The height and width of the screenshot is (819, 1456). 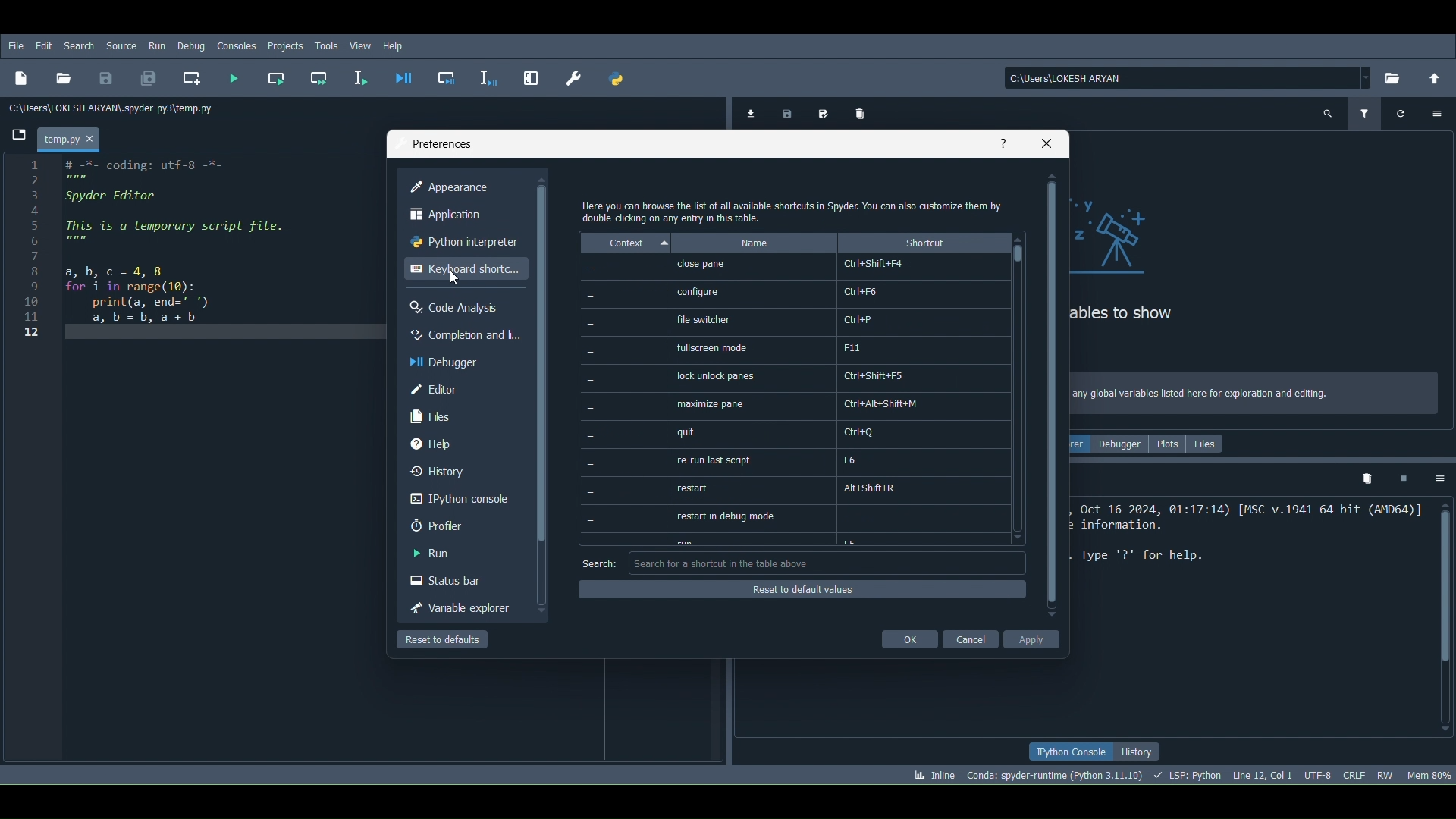 I want to click on Save file (Ctrl + S), so click(x=106, y=78).